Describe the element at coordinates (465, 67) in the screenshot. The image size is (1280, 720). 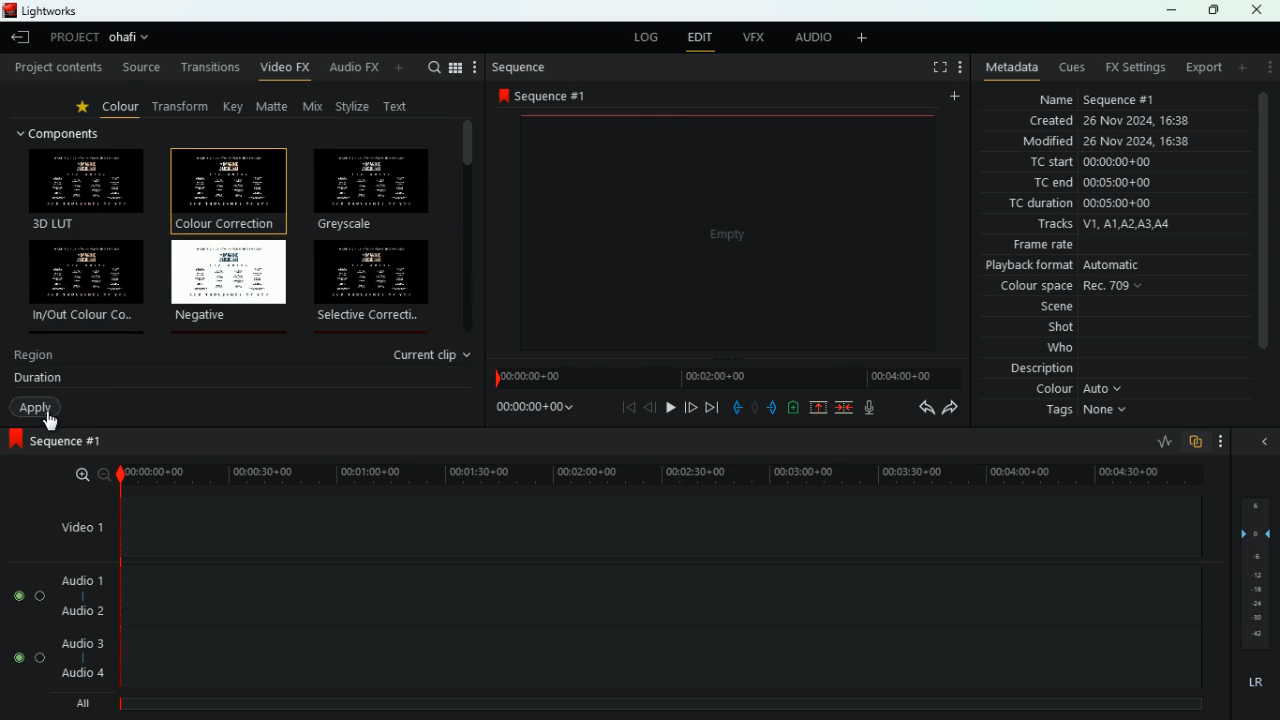
I see `menu` at that location.